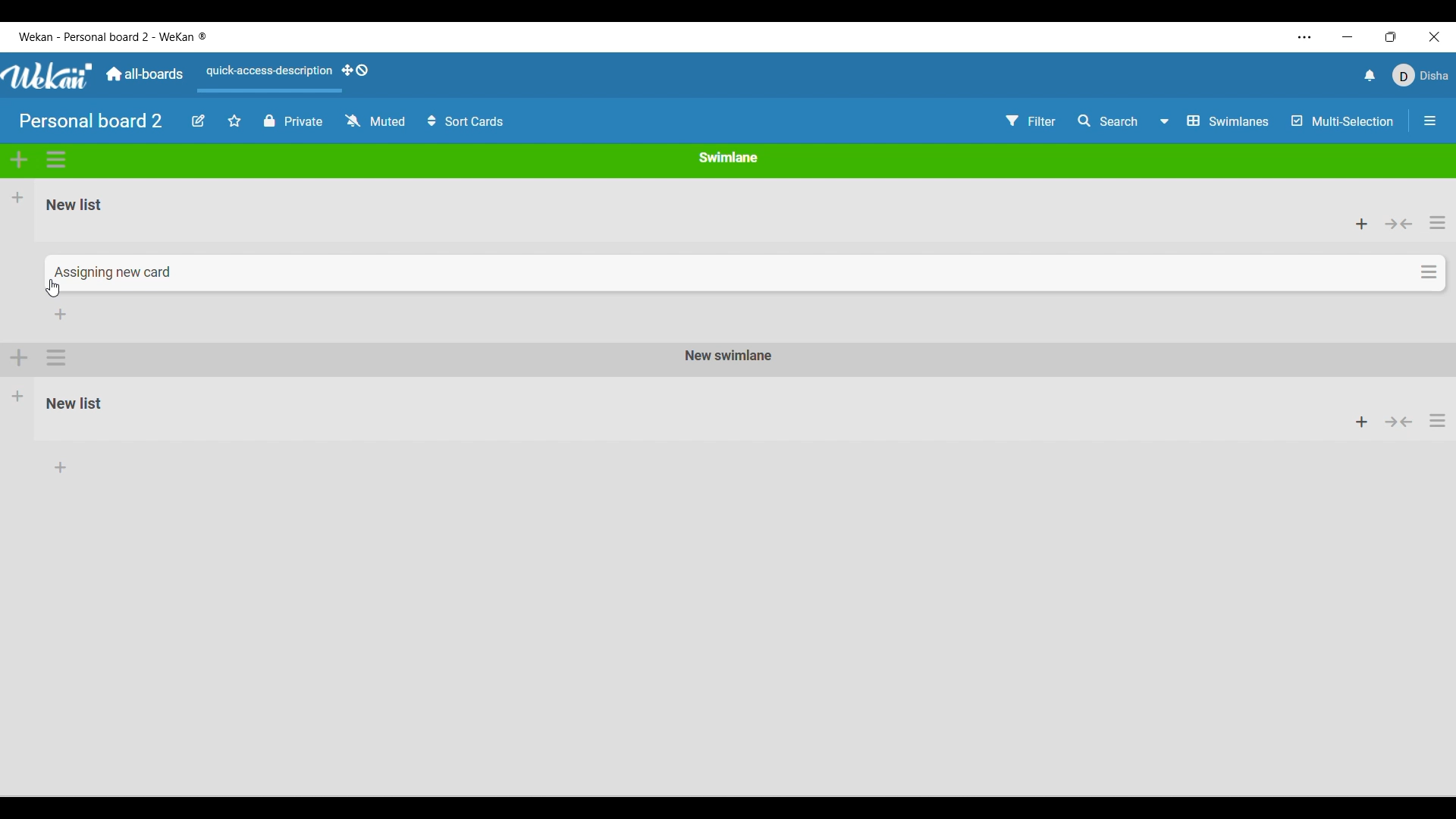 This screenshot has width=1456, height=819. Describe the element at coordinates (1391, 37) in the screenshot. I see `Show interface in a smaller tab` at that location.